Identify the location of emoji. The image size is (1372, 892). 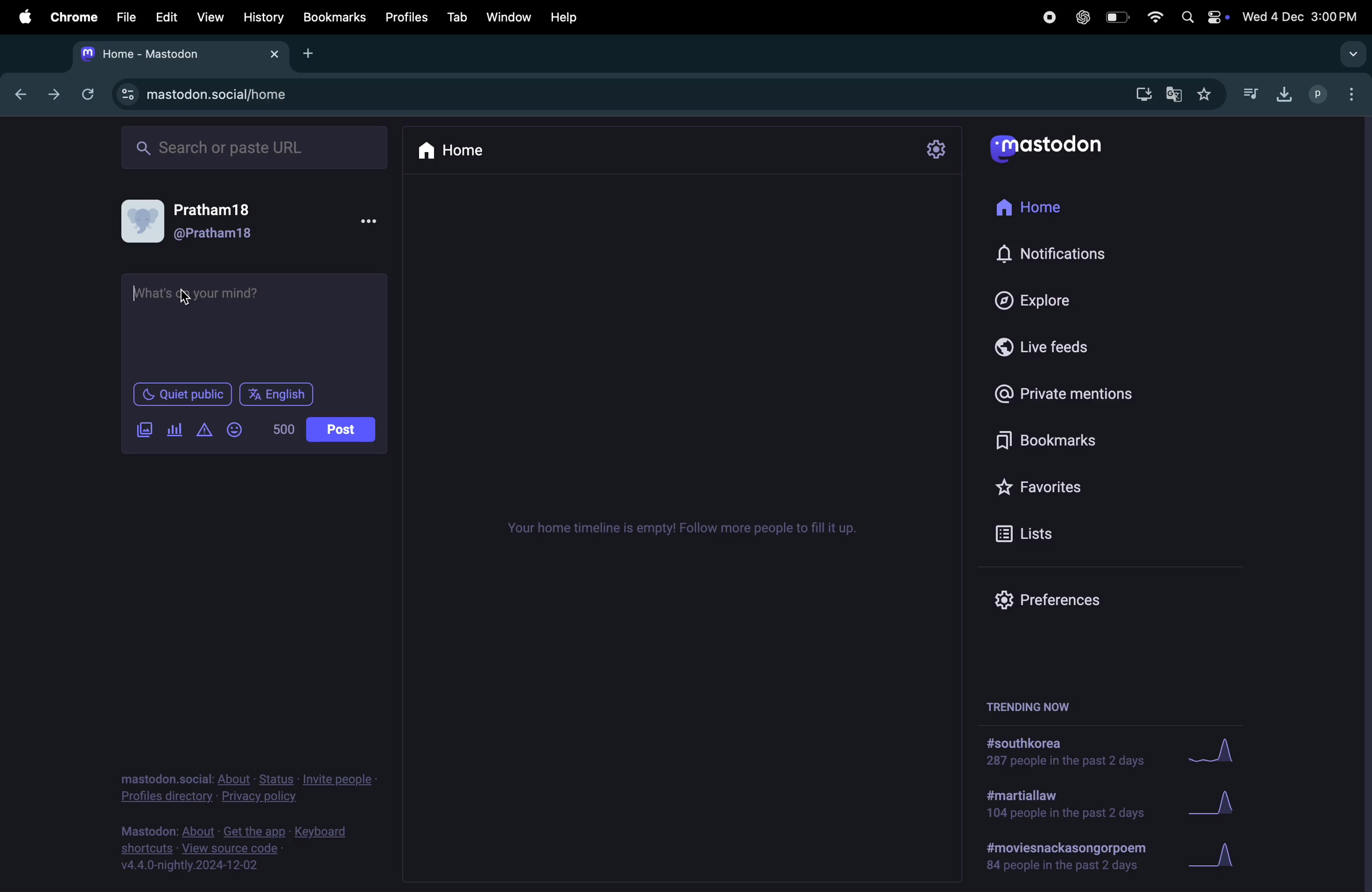
(239, 430).